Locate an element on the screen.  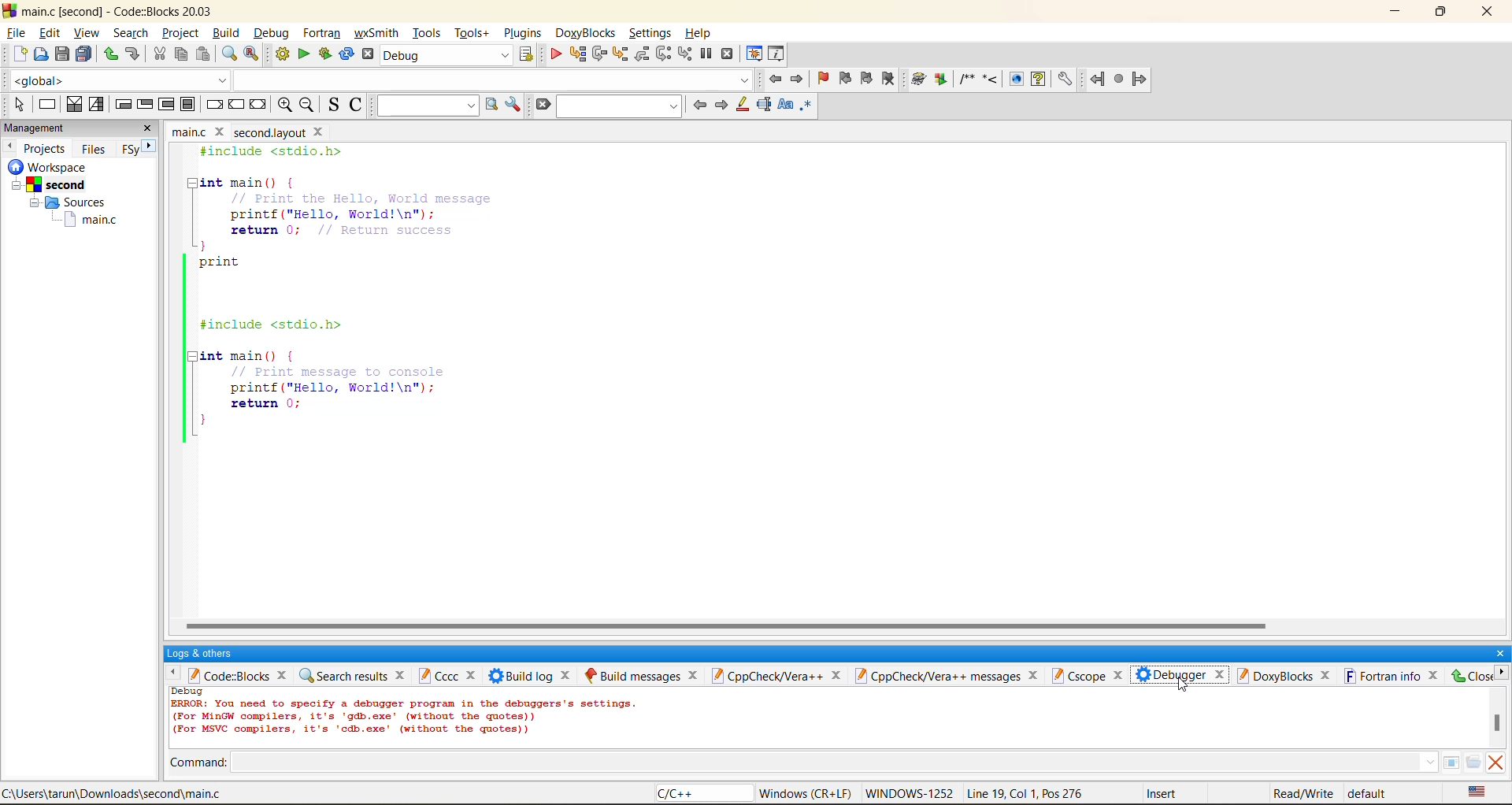
zoom out is located at coordinates (307, 106).